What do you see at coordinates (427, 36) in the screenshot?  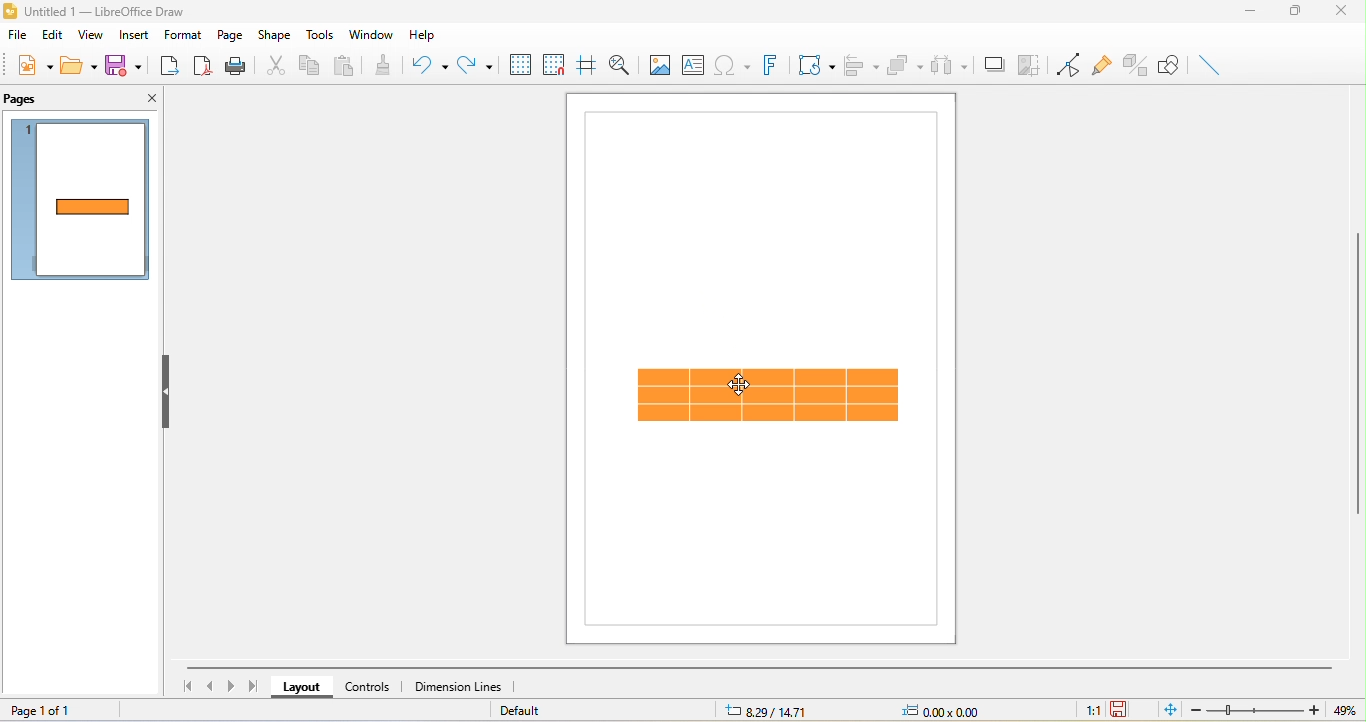 I see `help` at bounding box center [427, 36].